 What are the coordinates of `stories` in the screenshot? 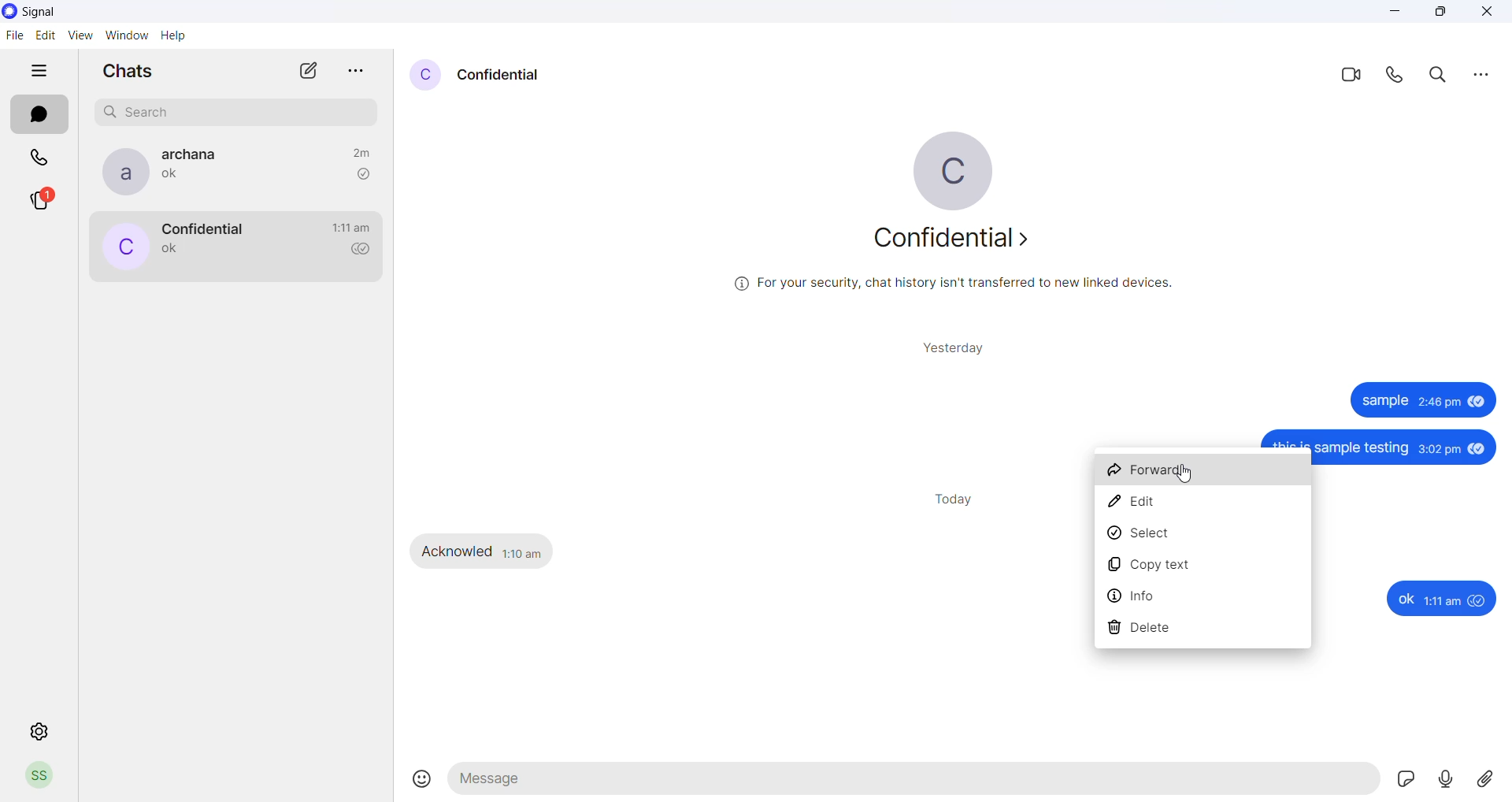 It's located at (50, 201).